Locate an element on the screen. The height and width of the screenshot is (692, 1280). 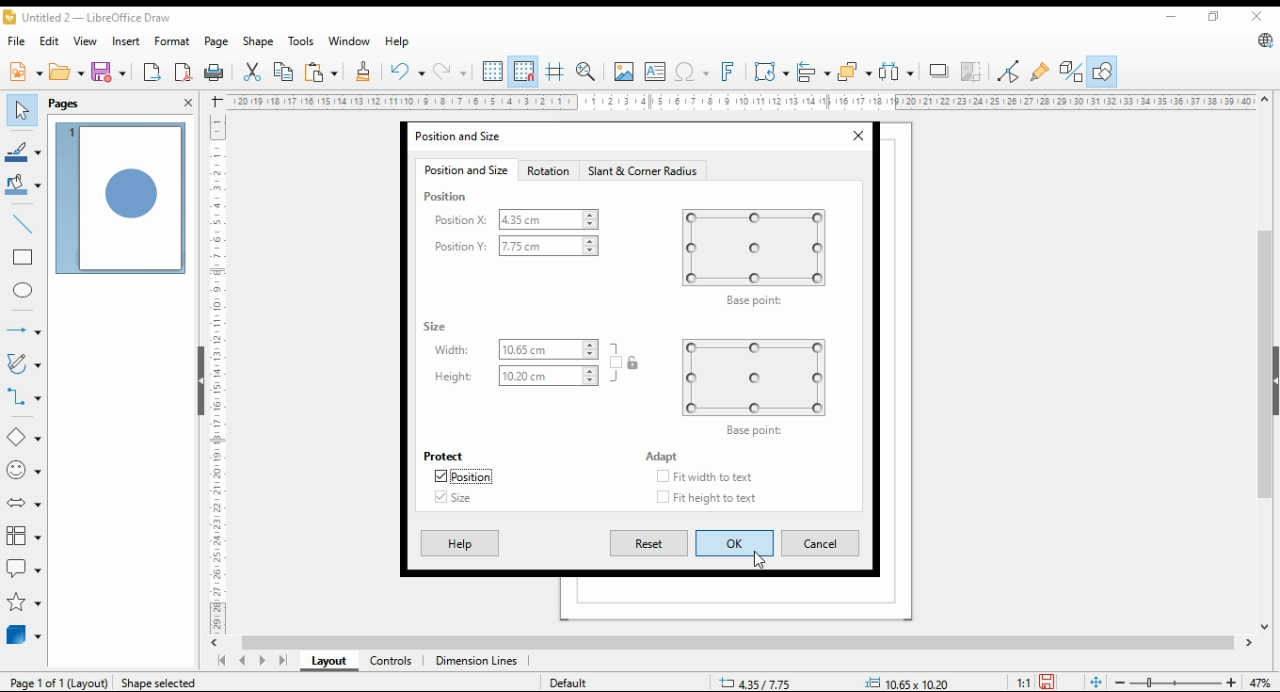
insert is located at coordinates (126, 41).